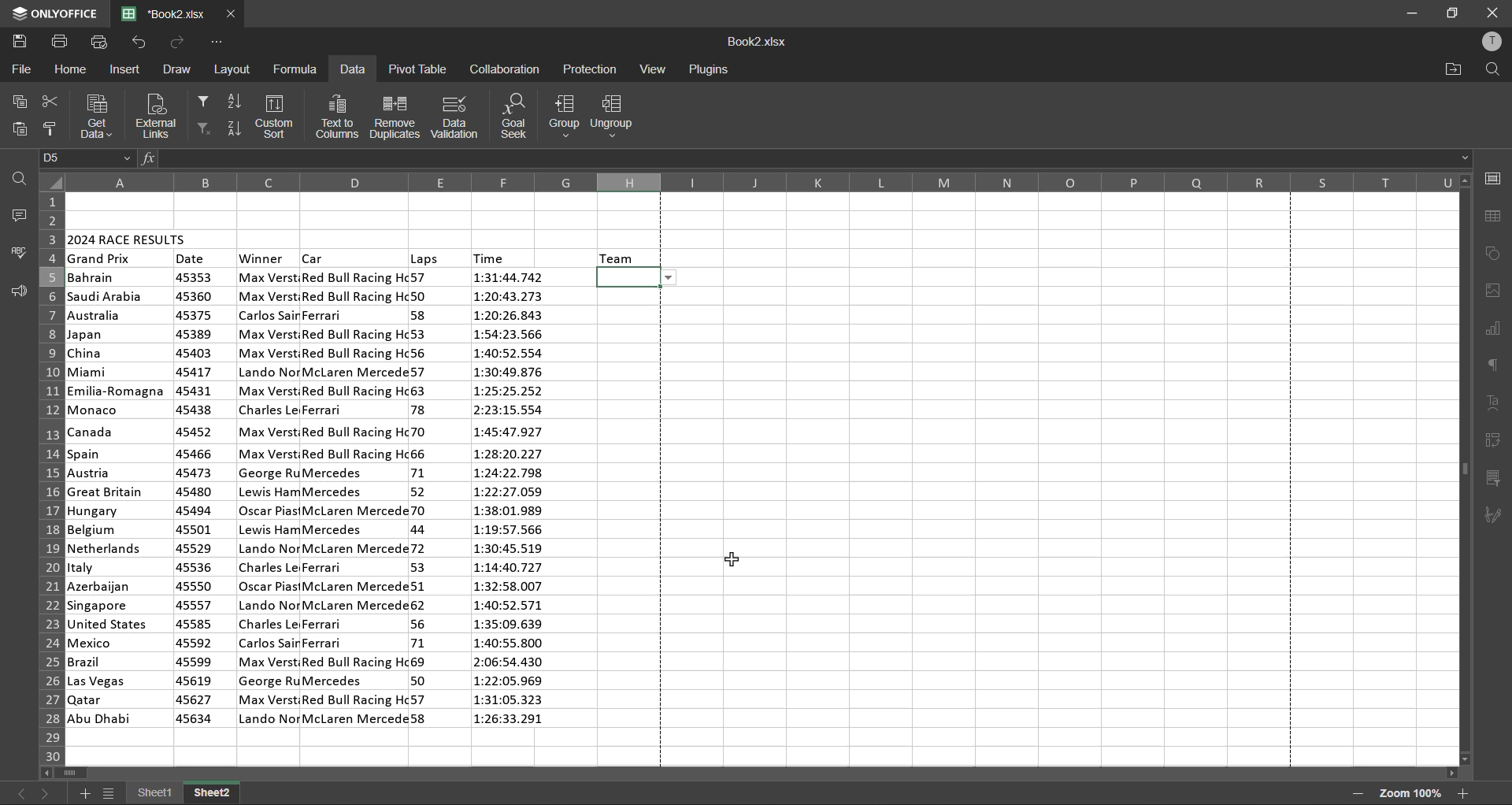 The image size is (1512, 805). I want to click on laps, so click(424, 258).